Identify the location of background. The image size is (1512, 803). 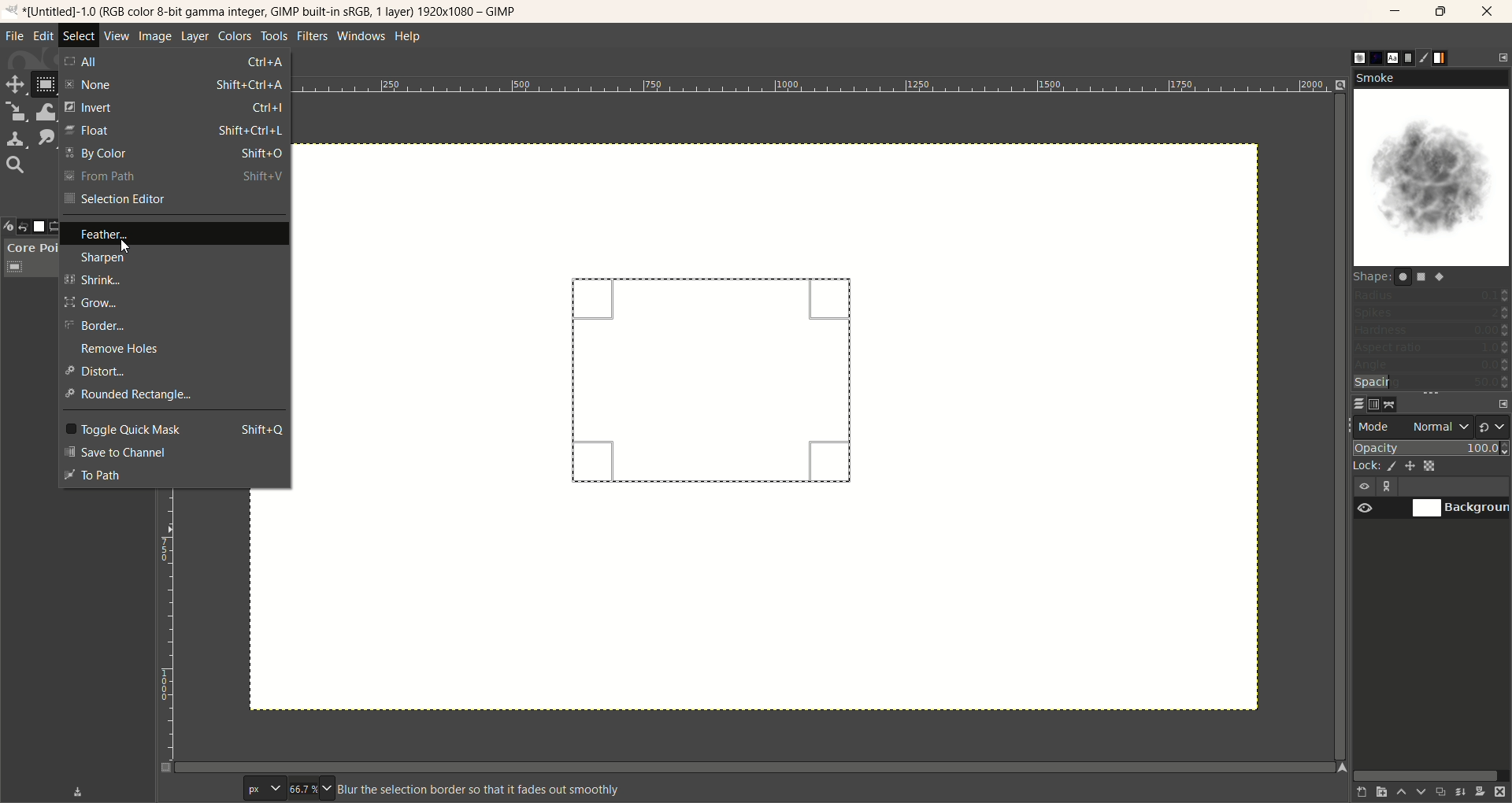
(1460, 509).